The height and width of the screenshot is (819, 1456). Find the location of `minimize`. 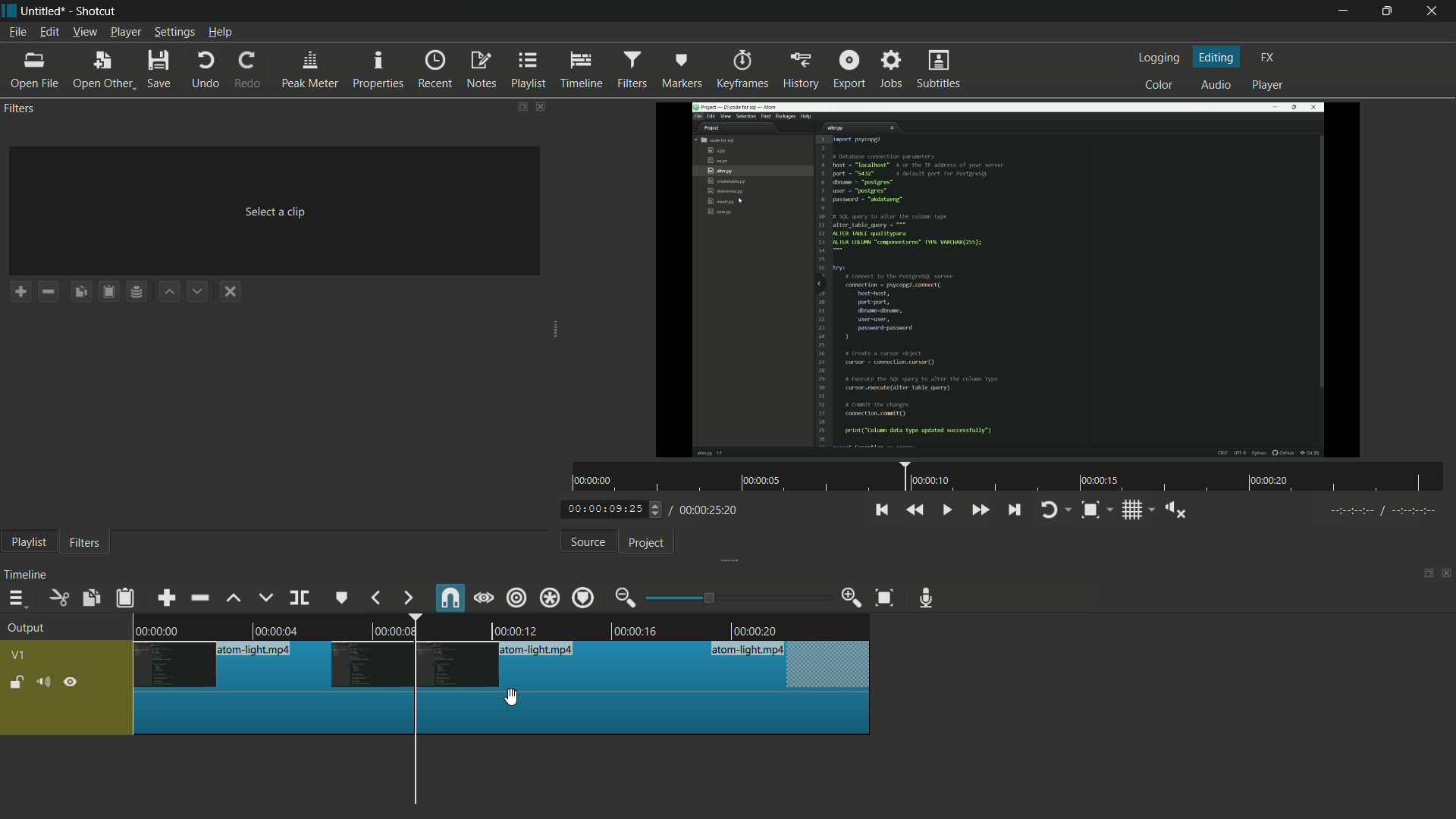

minimize is located at coordinates (1341, 11).